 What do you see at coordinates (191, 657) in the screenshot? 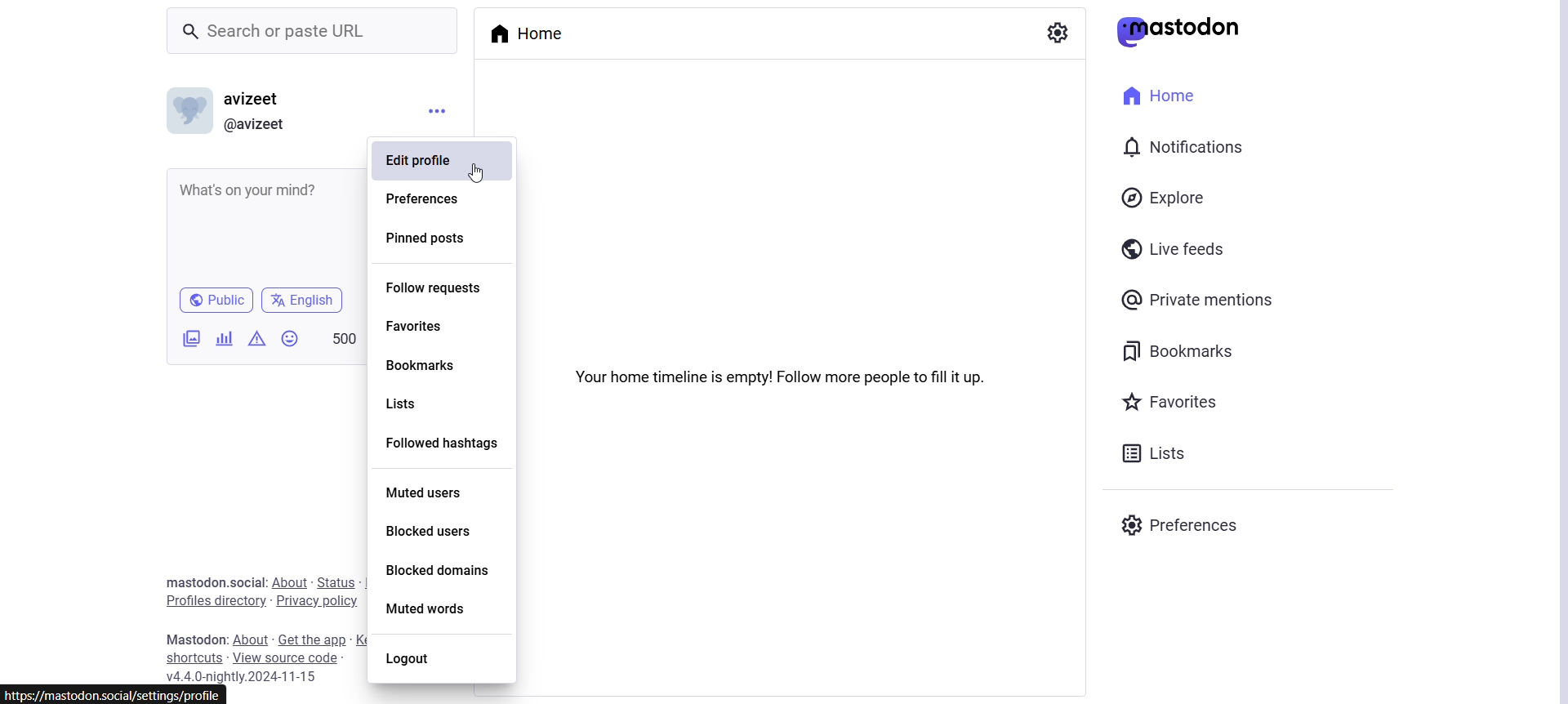
I see `Shortcuts` at bounding box center [191, 657].